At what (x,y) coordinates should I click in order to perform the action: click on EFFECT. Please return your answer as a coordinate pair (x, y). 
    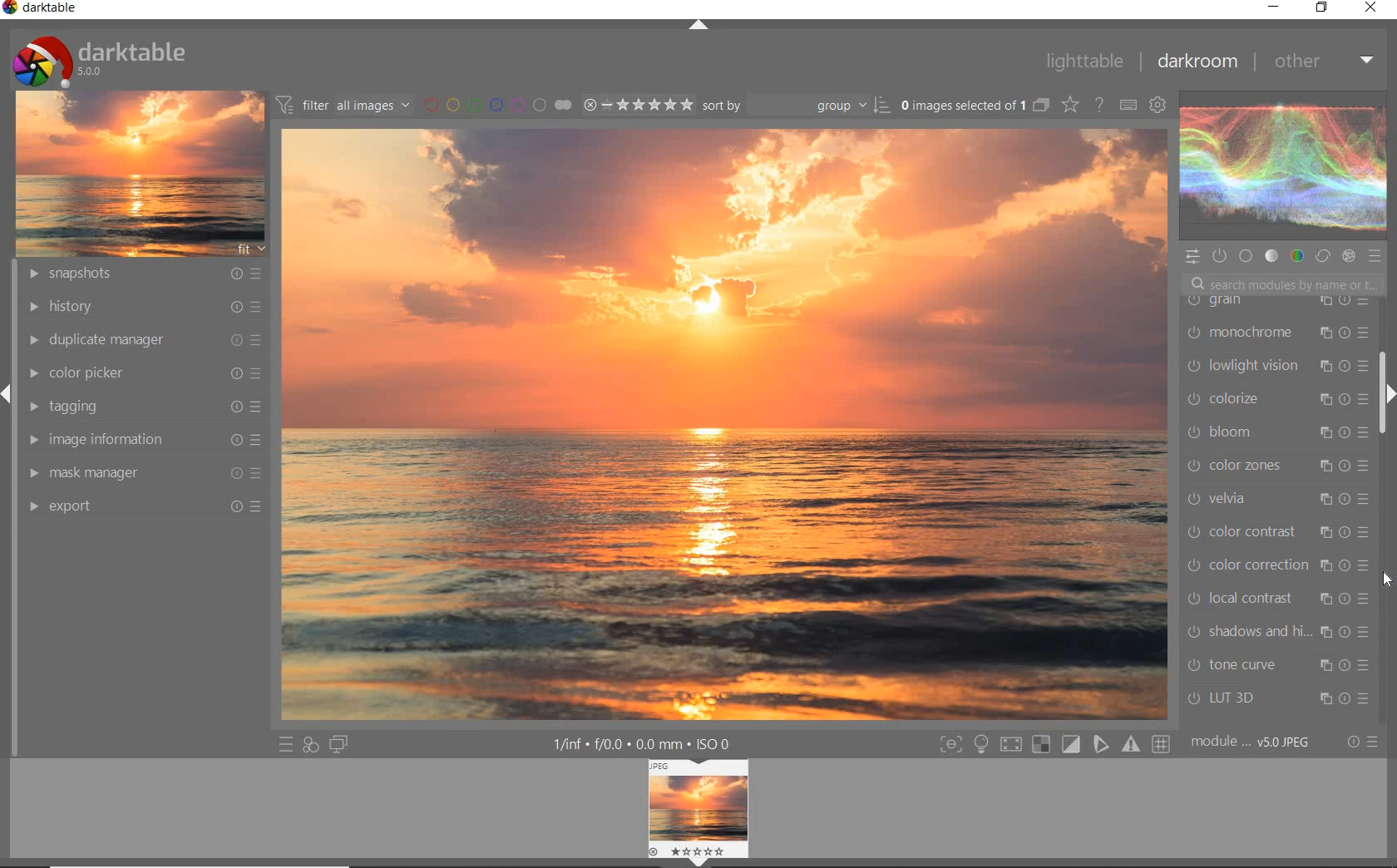
    Looking at the image, I should click on (1348, 257).